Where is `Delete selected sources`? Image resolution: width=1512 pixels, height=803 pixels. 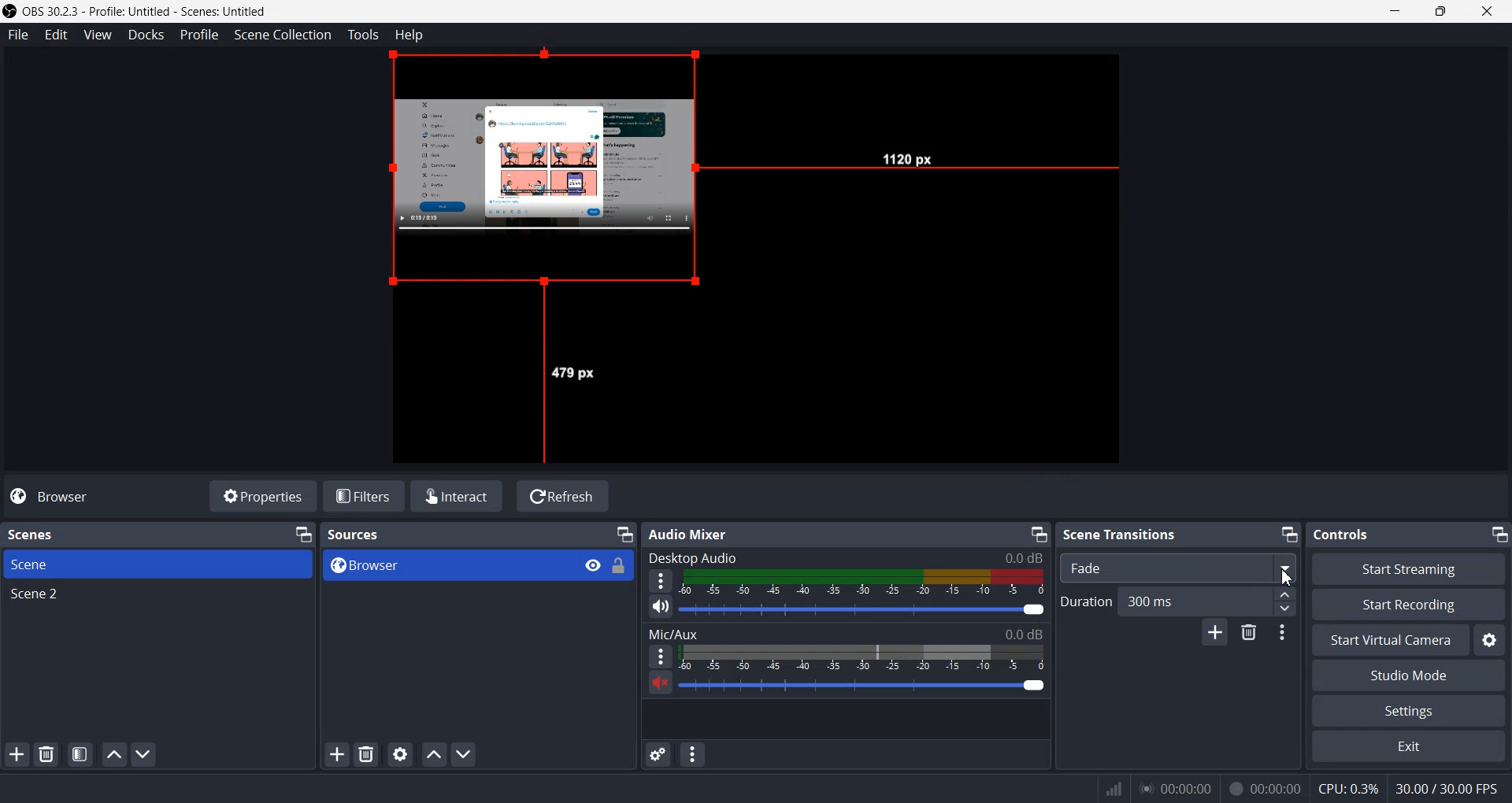
Delete selected sources is located at coordinates (365, 753).